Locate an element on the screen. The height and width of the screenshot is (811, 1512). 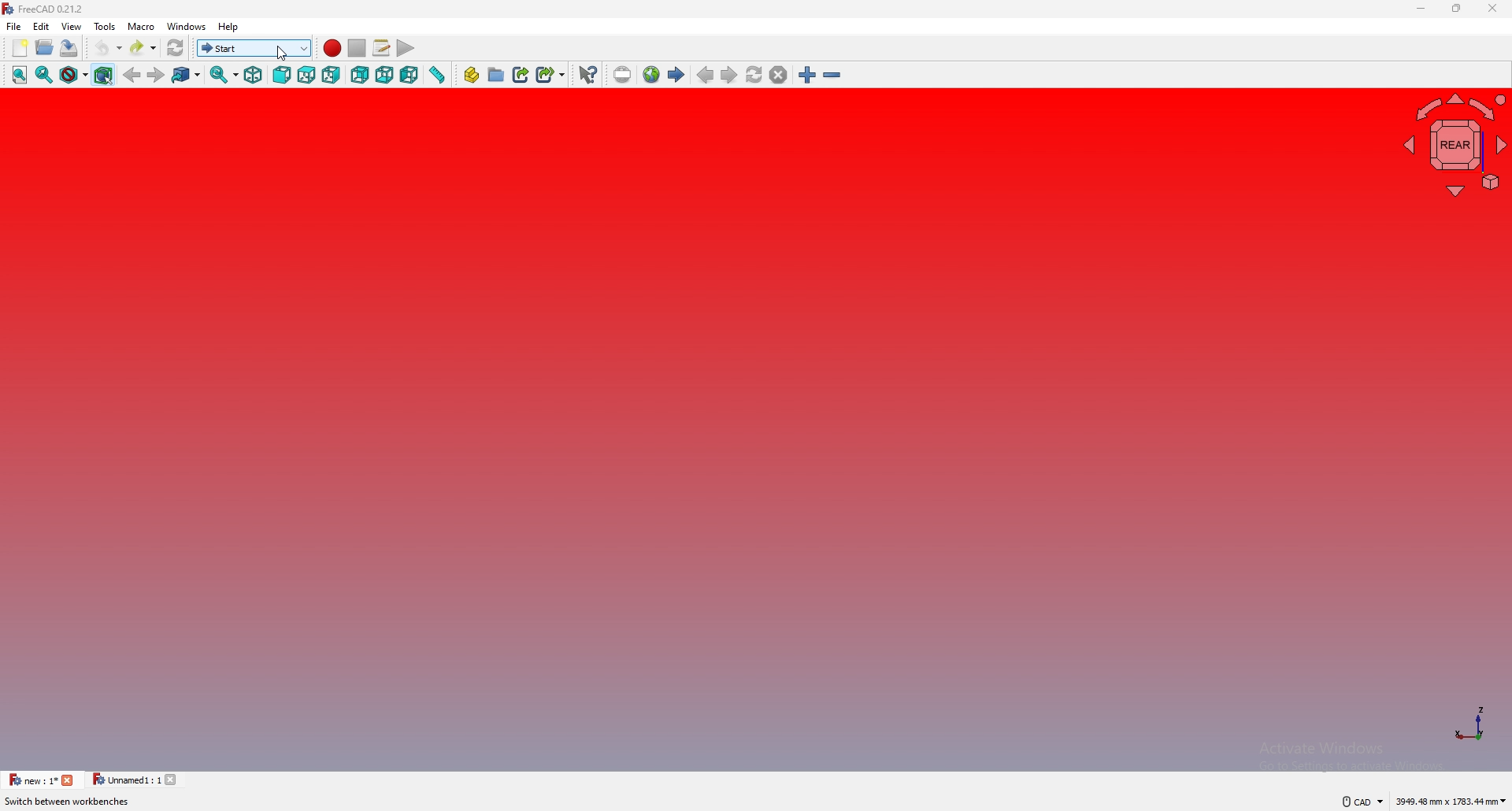
bounding object is located at coordinates (104, 73).